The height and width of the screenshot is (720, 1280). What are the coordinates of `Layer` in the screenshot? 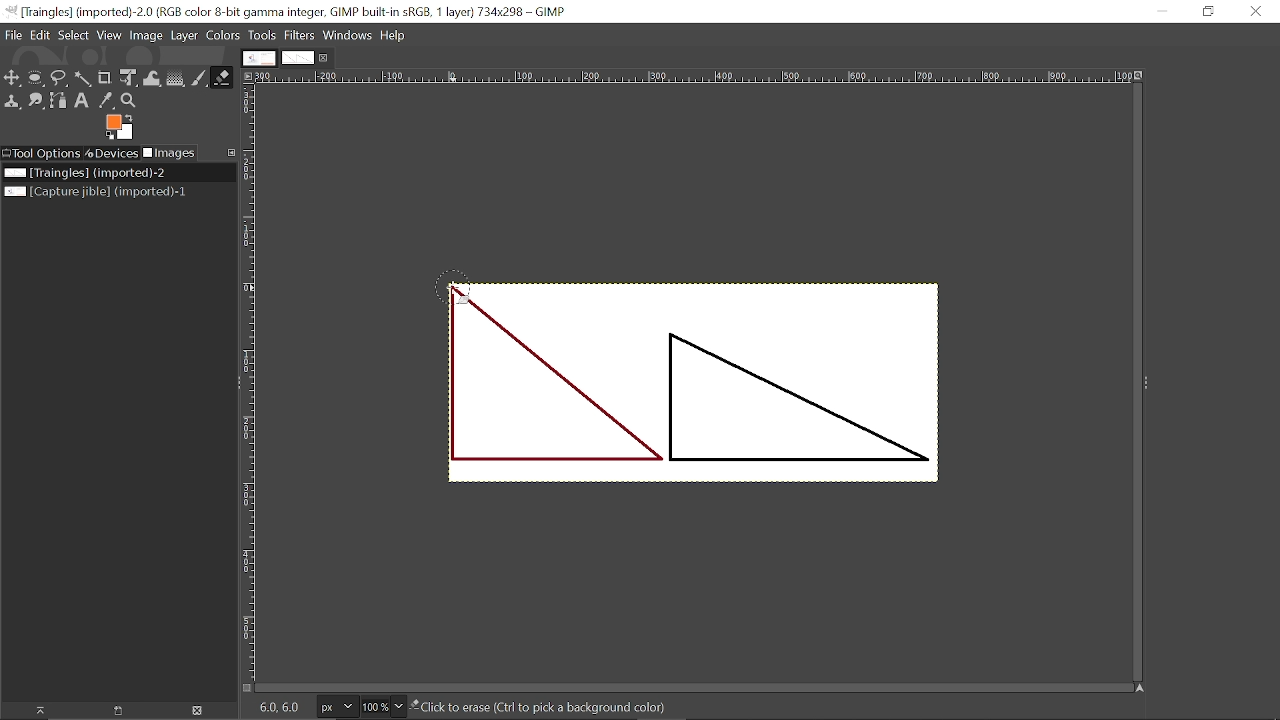 It's located at (184, 37).